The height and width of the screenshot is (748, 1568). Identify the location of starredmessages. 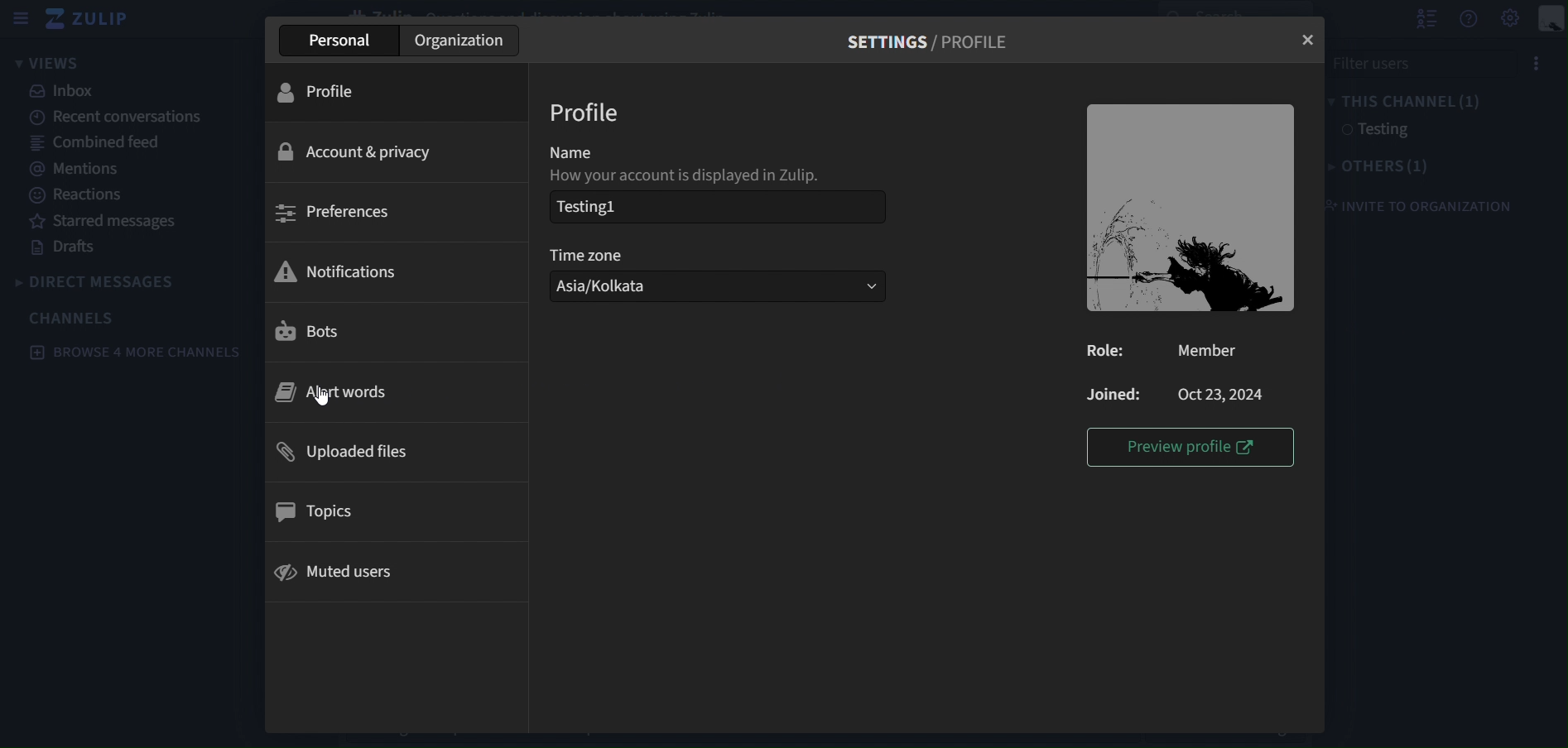
(108, 222).